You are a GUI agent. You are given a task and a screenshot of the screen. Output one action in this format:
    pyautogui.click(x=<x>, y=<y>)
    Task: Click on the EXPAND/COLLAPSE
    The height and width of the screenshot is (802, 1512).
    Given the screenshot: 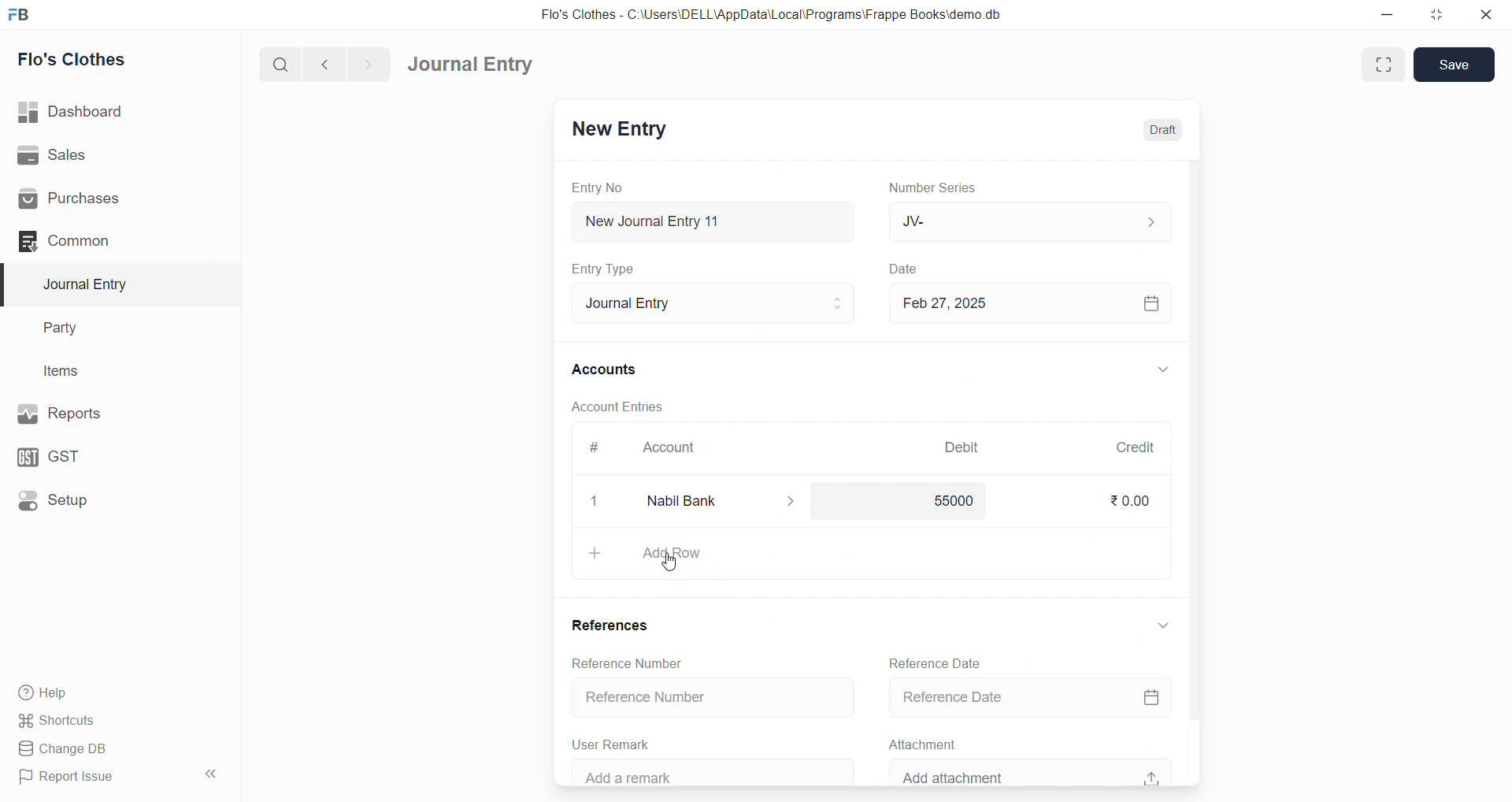 What is the action you would take?
    pyautogui.click(x=1162, y=369)
    